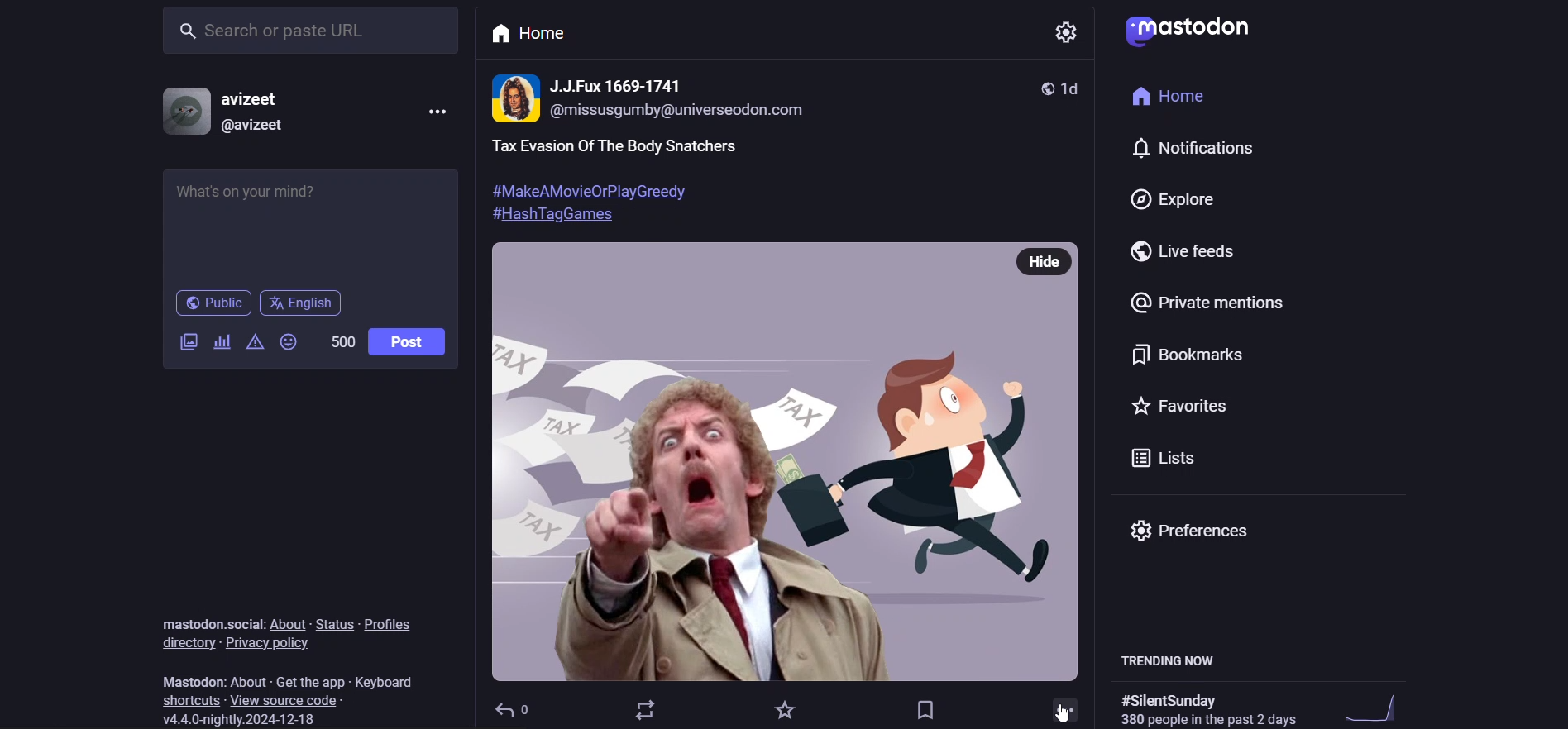 Image resolution: width=1568 pixels, height=729 pixels. What do you see at coordinates (288, 699) in the screenshot?
I see `source code` at bounding box center [288, 699].